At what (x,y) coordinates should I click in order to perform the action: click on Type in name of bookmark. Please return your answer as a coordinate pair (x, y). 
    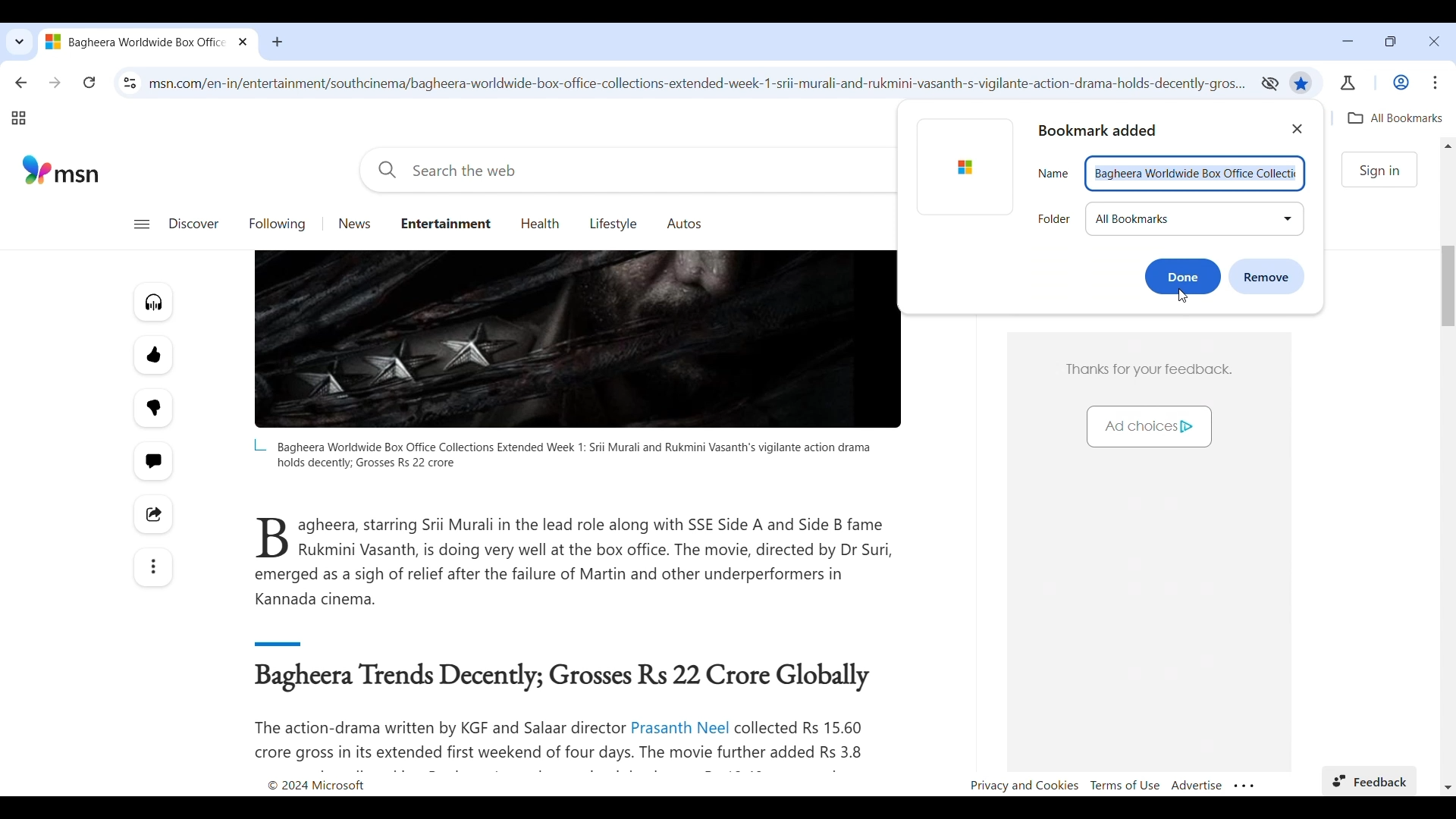
    Looking at the image, I should click on (1196, 174).